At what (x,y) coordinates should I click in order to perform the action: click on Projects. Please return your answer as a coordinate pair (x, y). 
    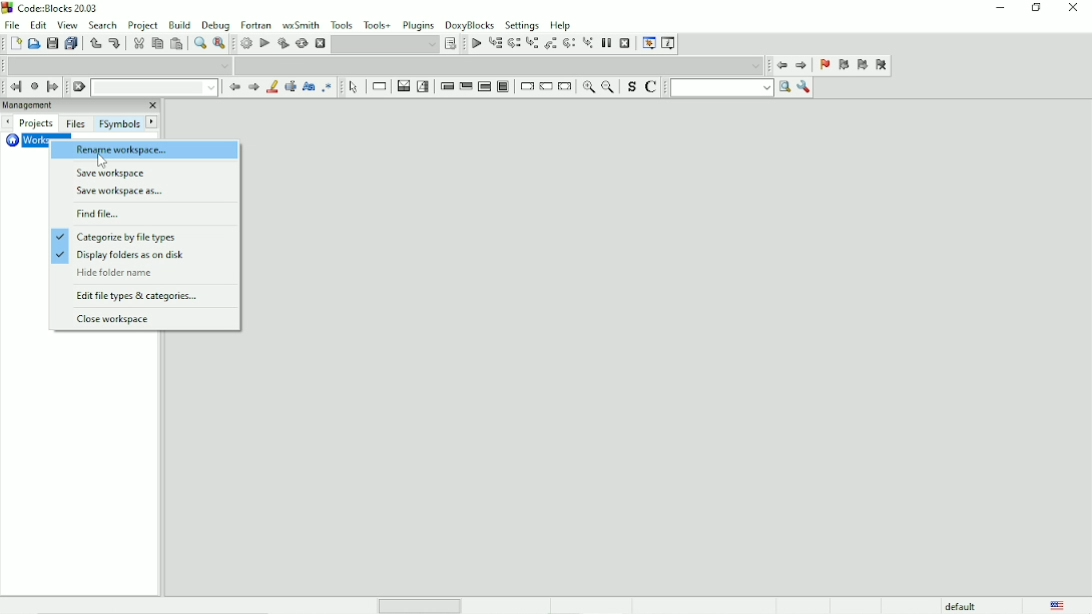
    Looking at the image, I should click on (38, 123).